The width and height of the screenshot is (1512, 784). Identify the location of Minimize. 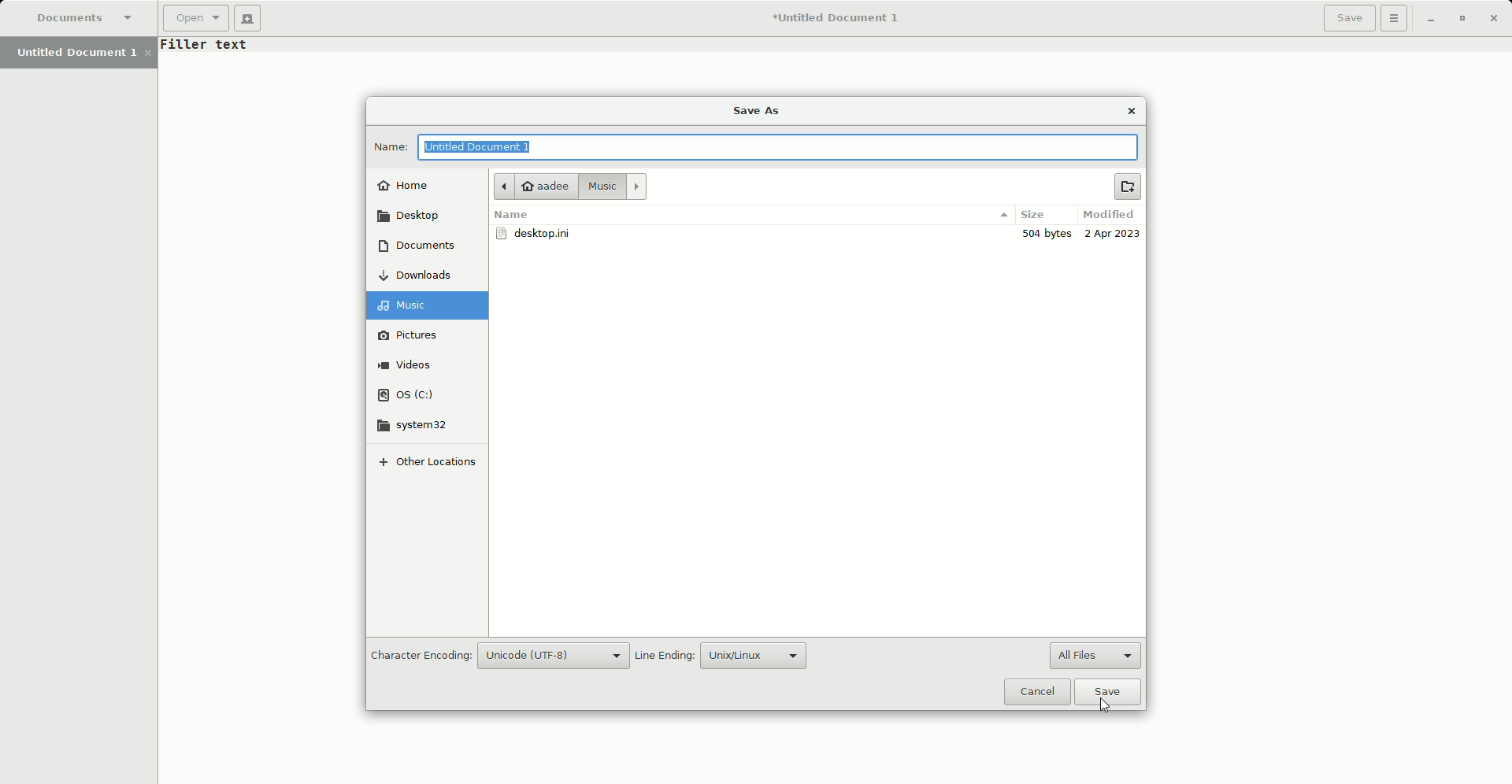
(1427, 19).